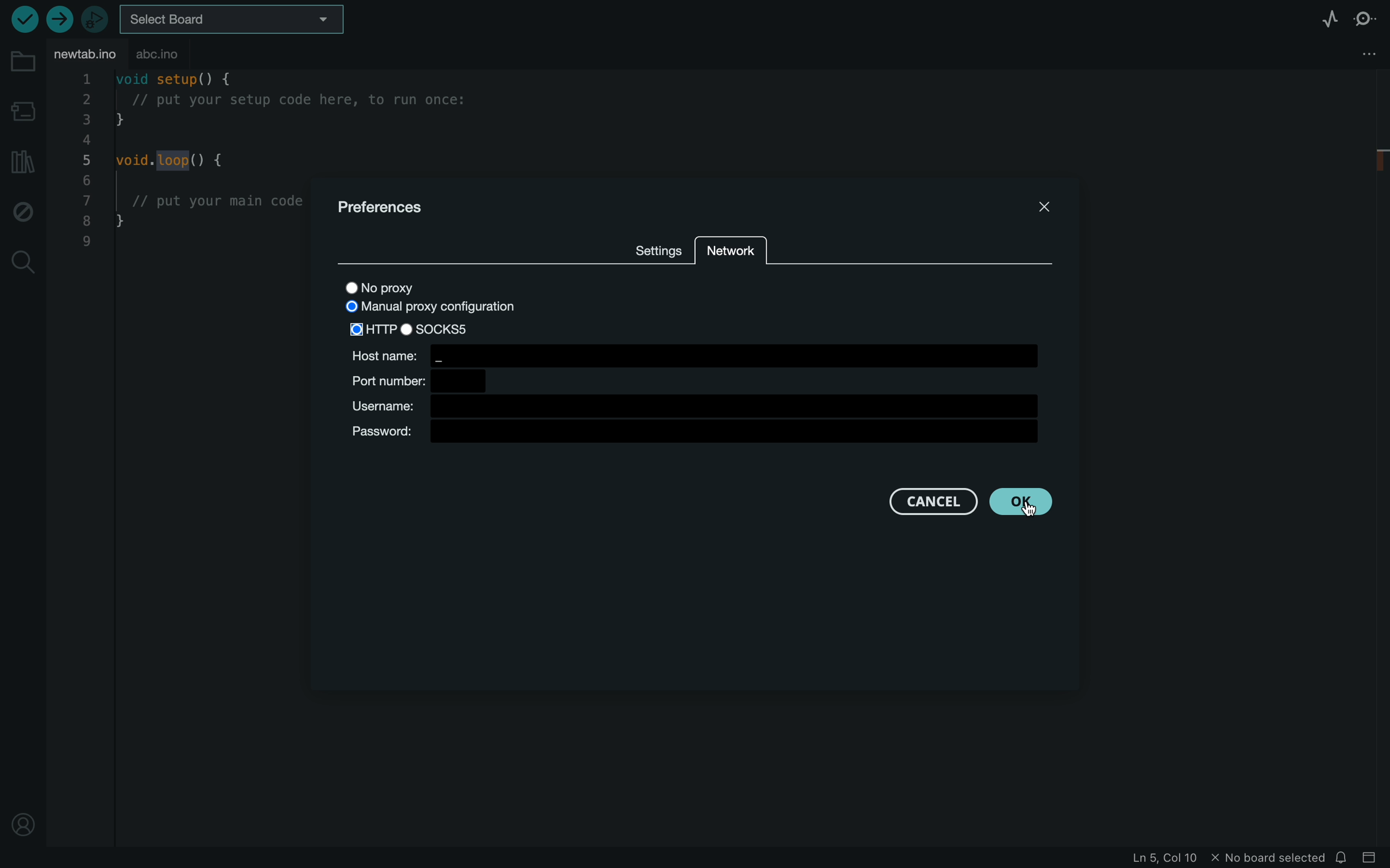  I want to click on board selecter, so click(239, 21).